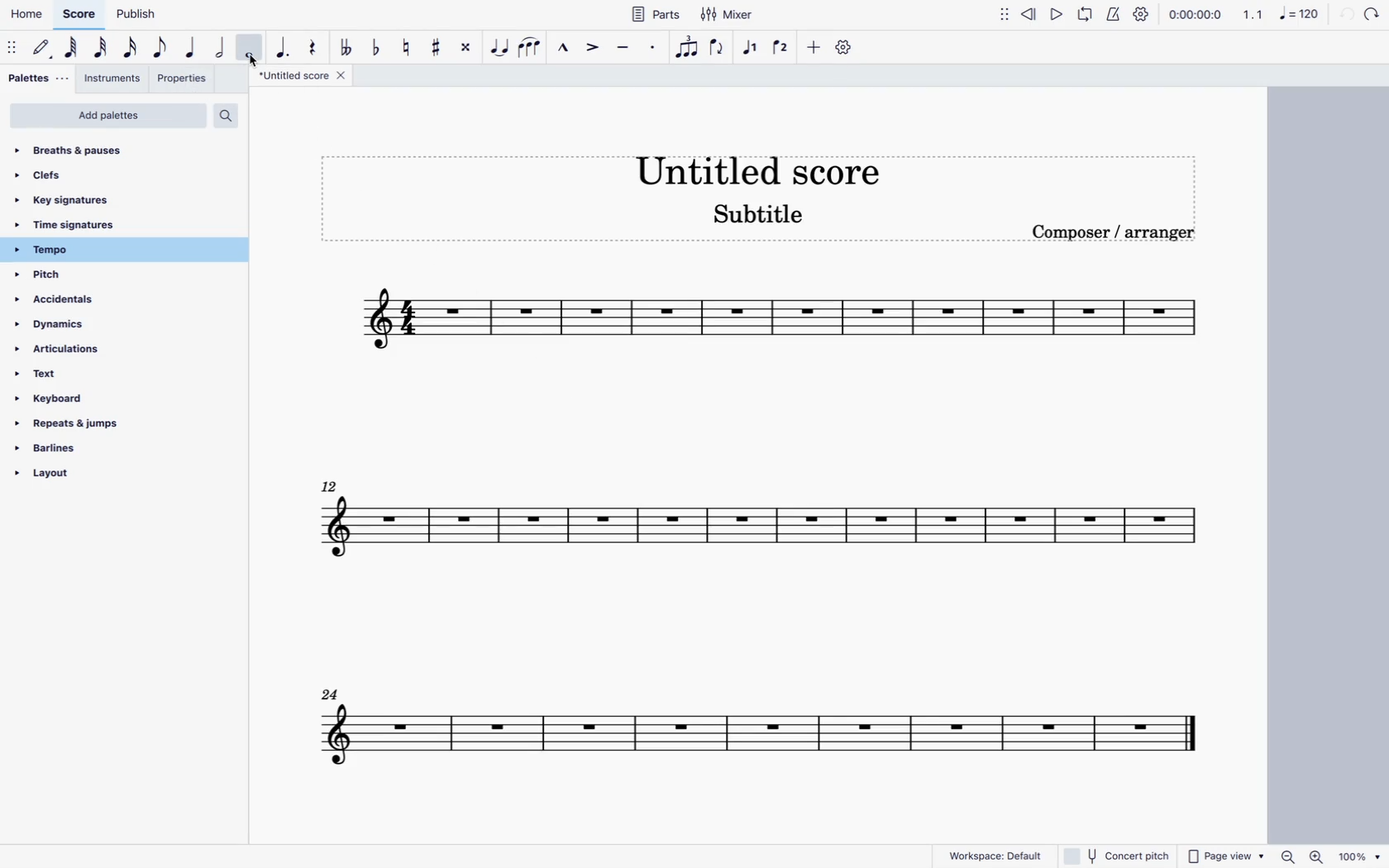 Image resolution: width=1389 pixels, height=868 pixels. What do you see at coordinates (750, 46) in the screenshot?
I see `voice 2` at bounding box center [750, 46].